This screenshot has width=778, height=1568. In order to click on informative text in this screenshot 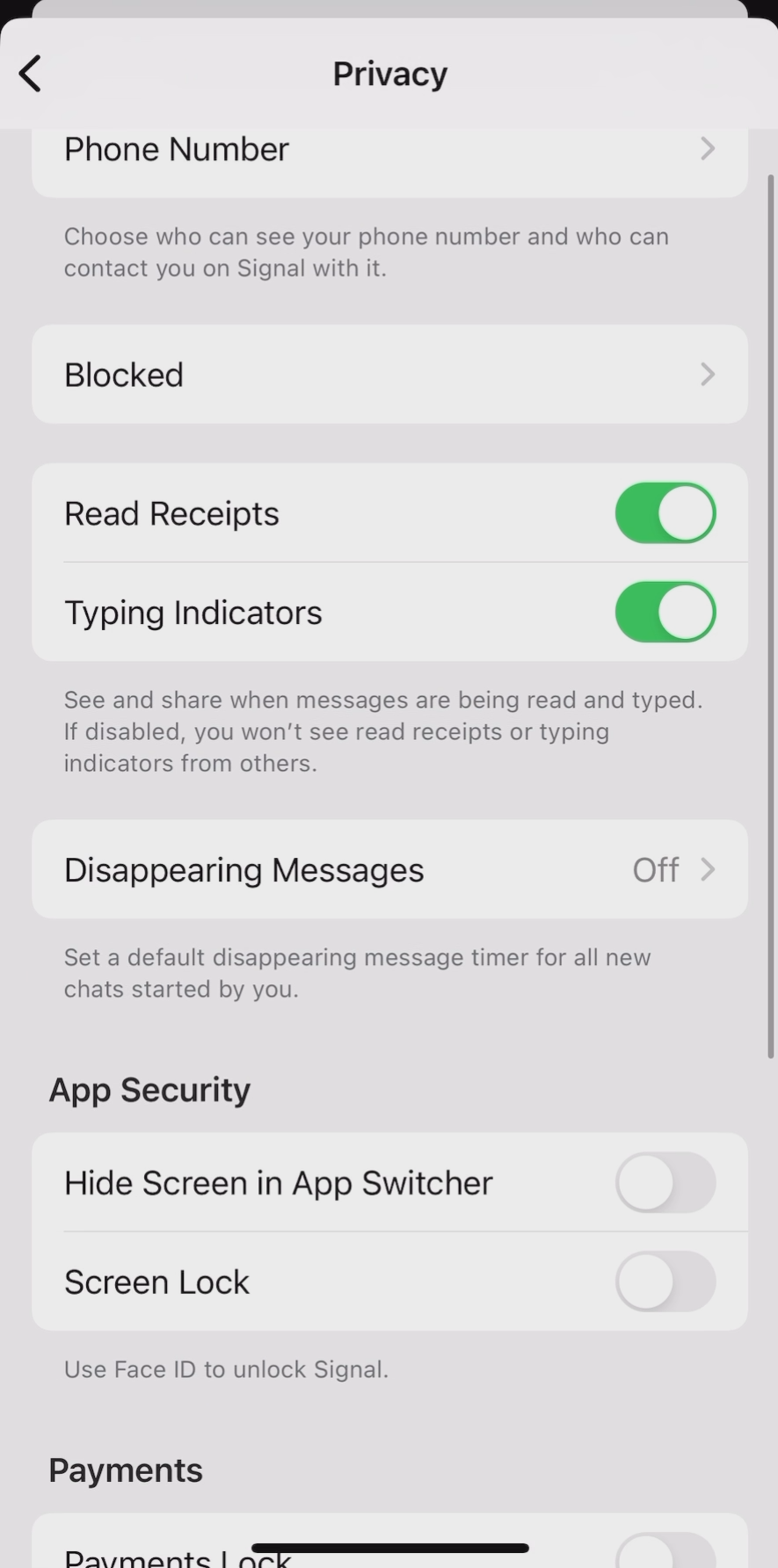, I will do `click(360, 976)`.